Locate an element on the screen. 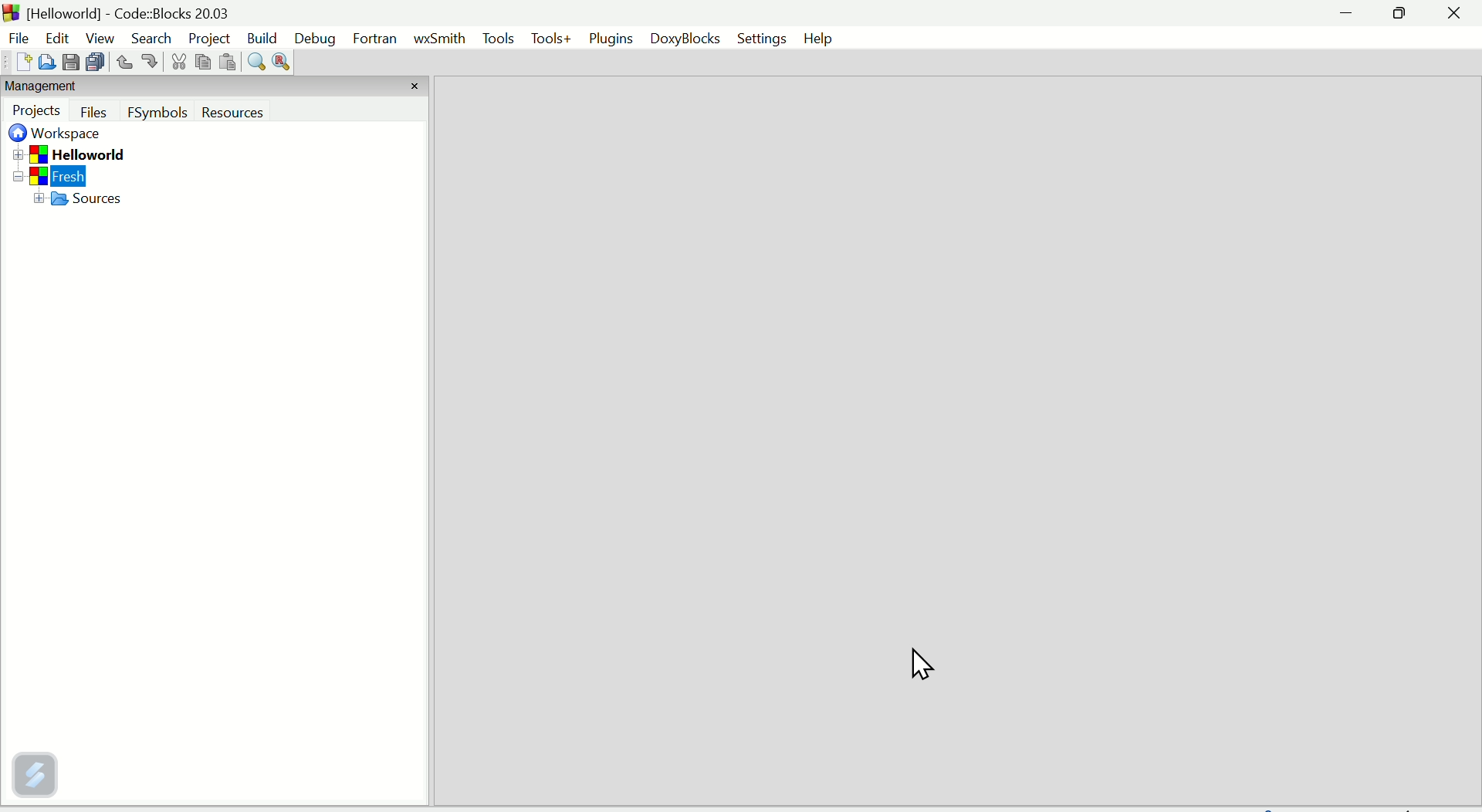 The image size is (1482, 812). Fresh is located at coordinates (76, 176).